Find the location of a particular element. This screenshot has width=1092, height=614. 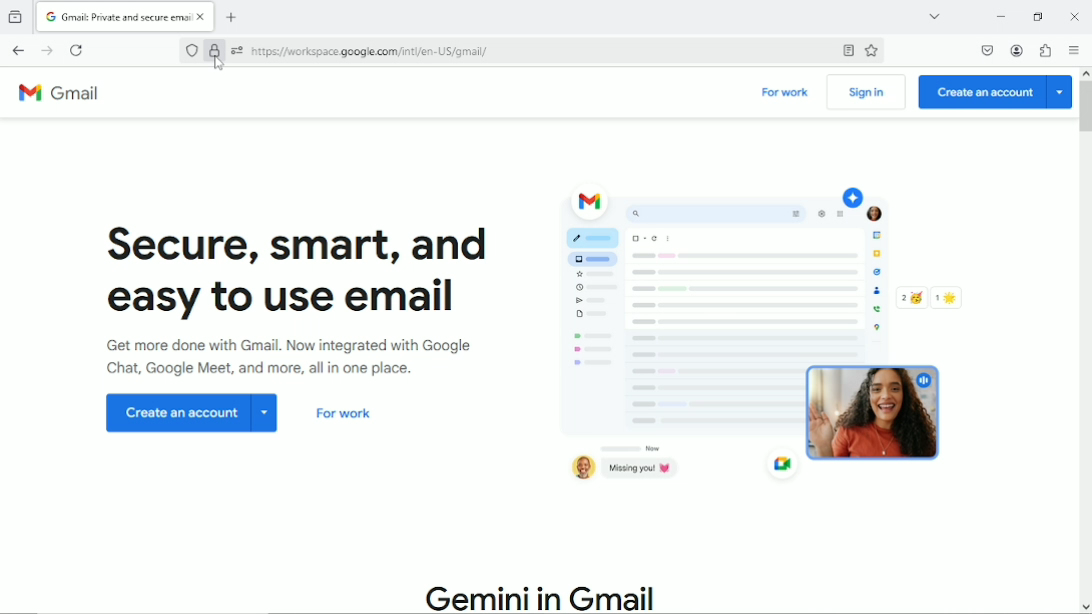

Cursor is located at coordinates (220, 67).